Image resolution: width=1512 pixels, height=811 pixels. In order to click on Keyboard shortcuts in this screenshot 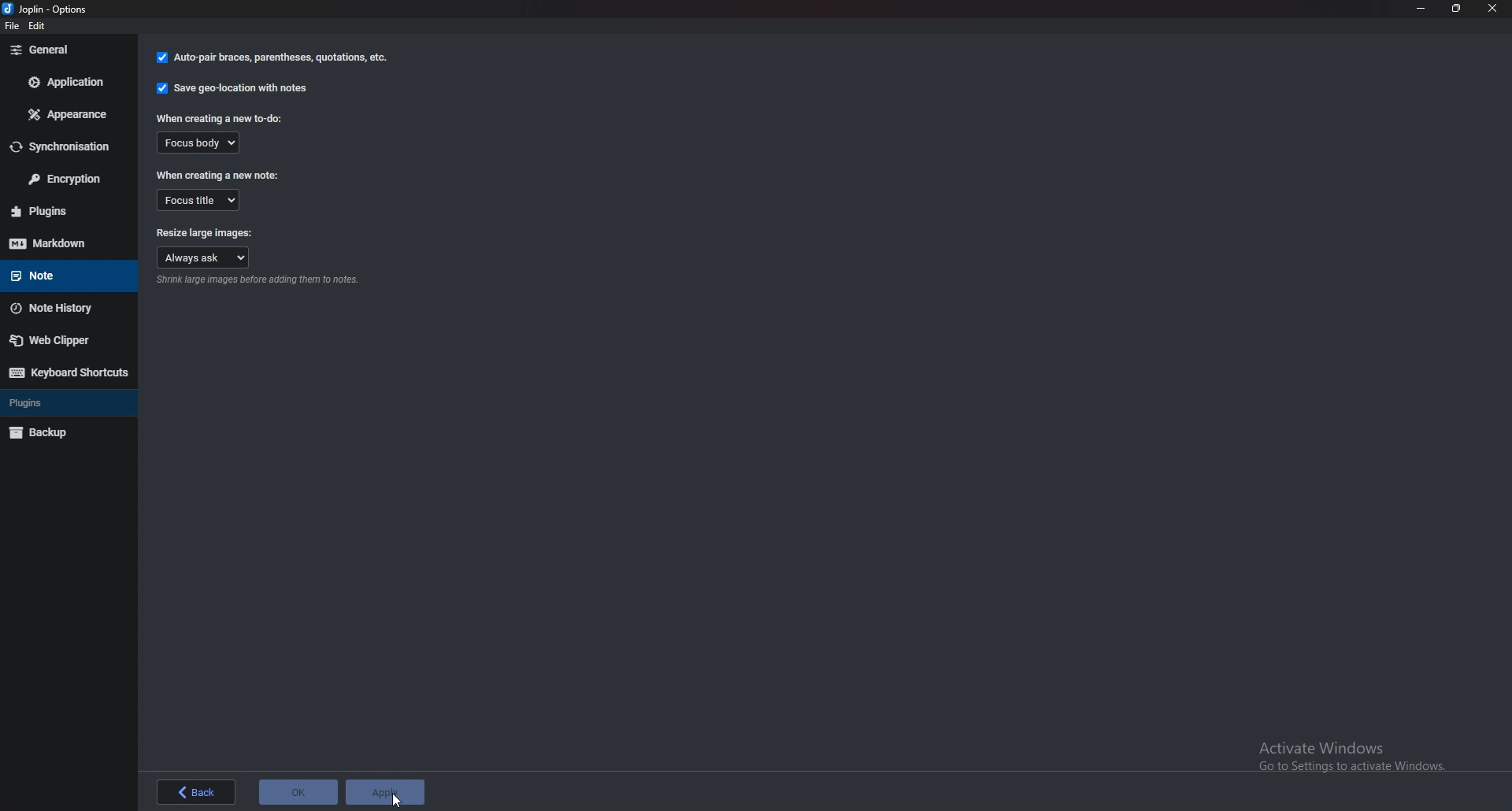, I will do `click(67, 372)`.